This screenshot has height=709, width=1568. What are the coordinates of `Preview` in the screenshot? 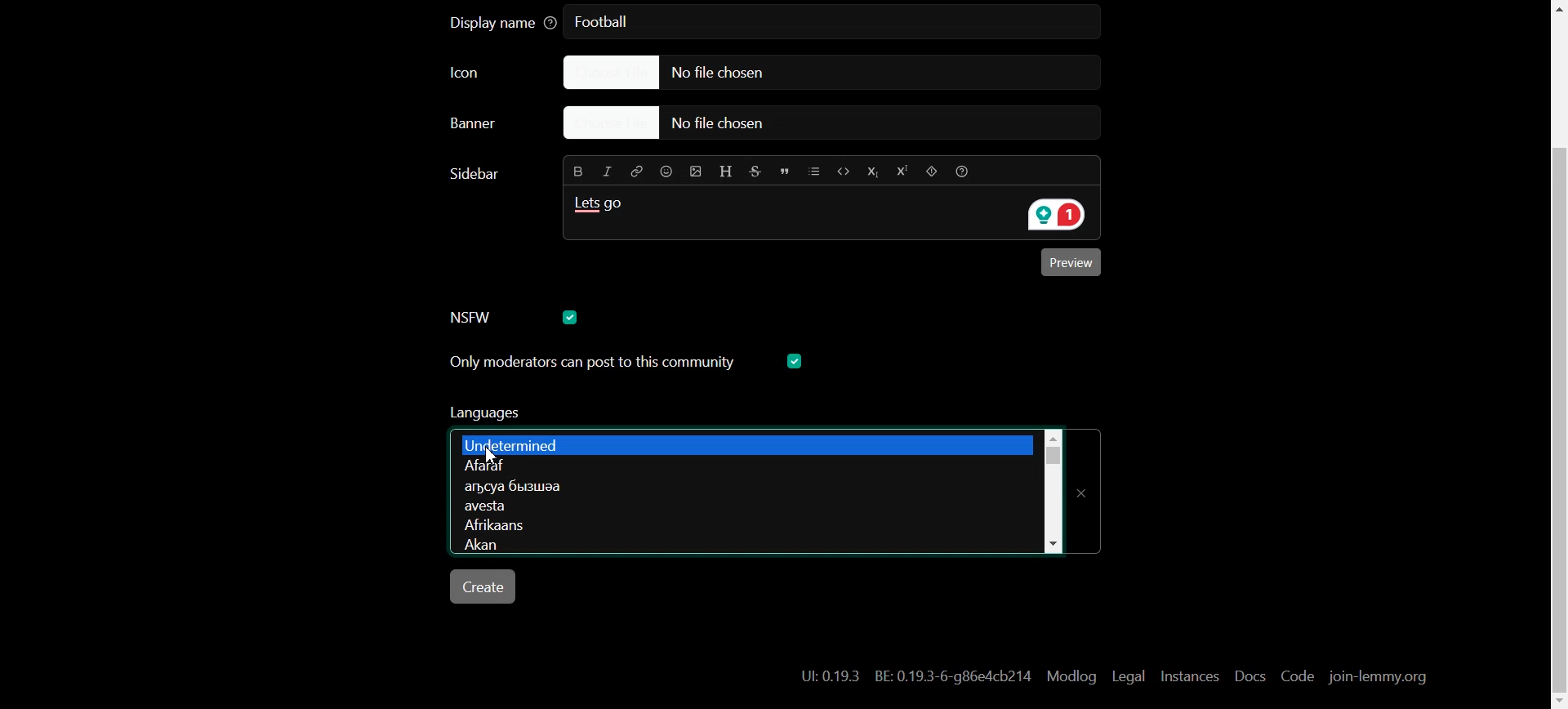 It's located at (1074, 265).